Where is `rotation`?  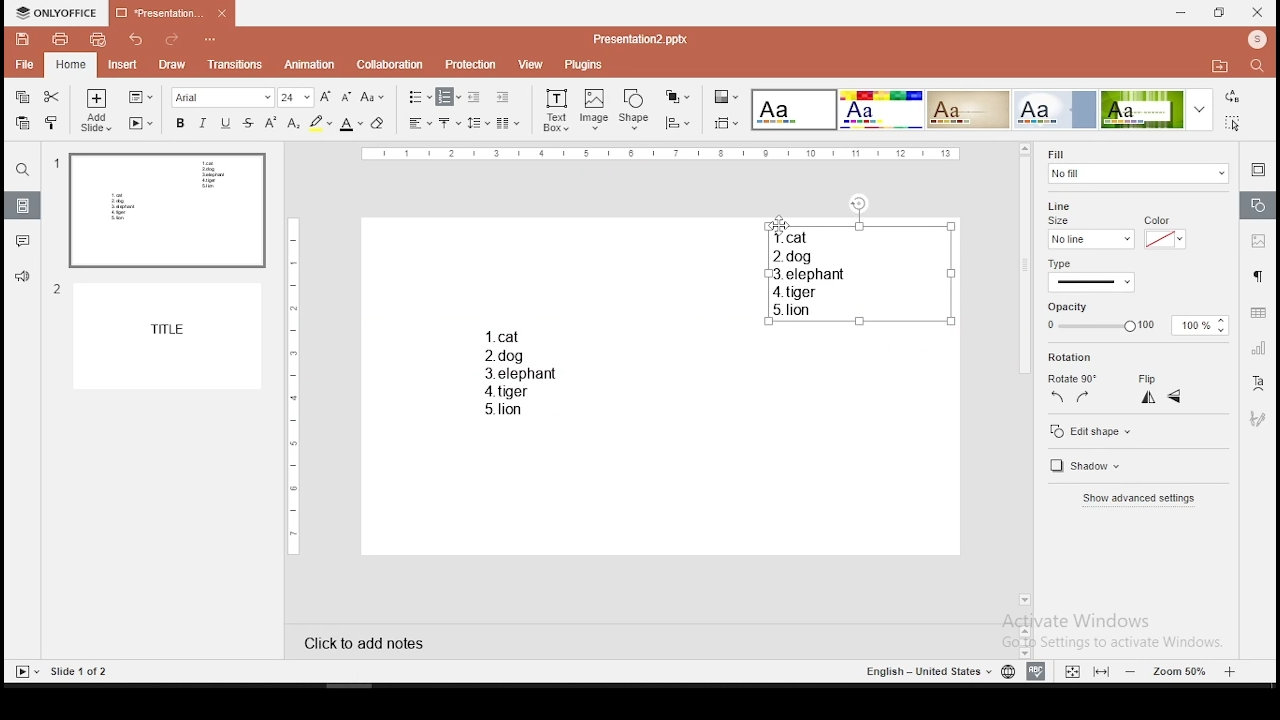
rotation is located at coordinates (1072, 357).